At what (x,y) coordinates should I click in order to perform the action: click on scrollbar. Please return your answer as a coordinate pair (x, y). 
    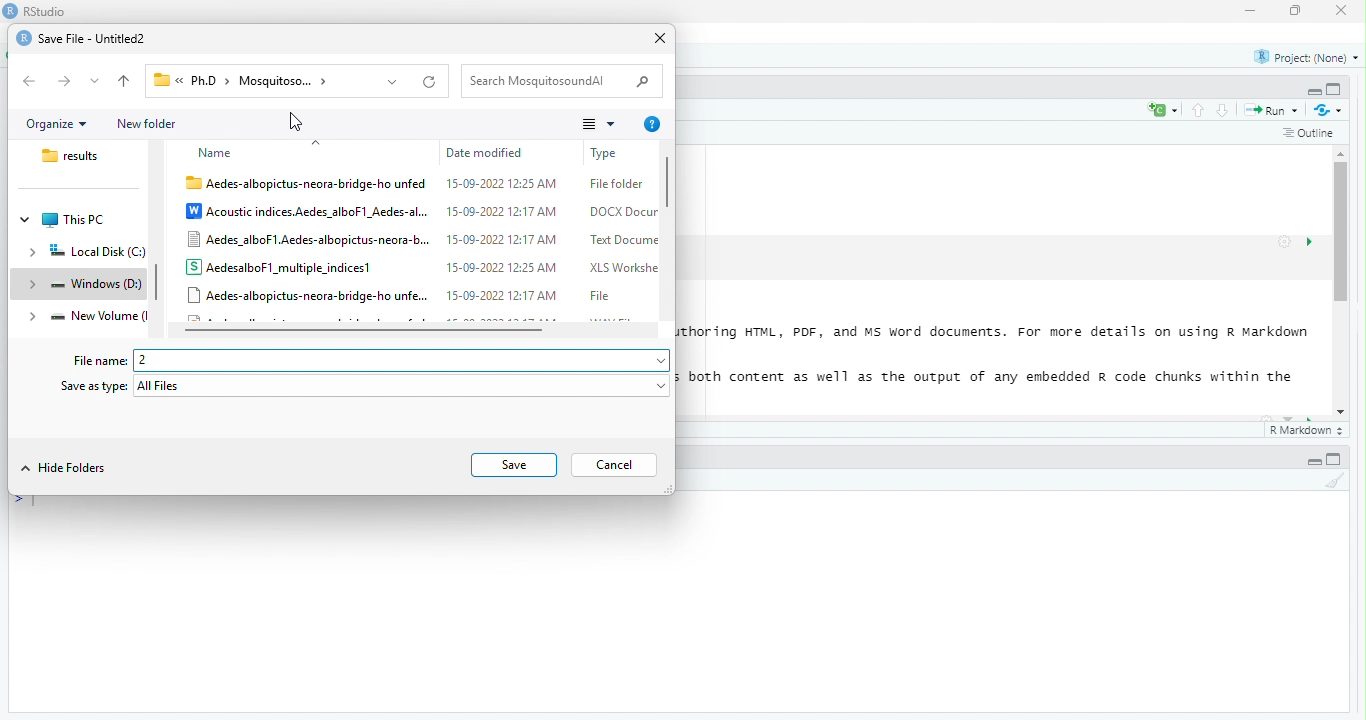
    Looking at the image, I should click on (414, 330).